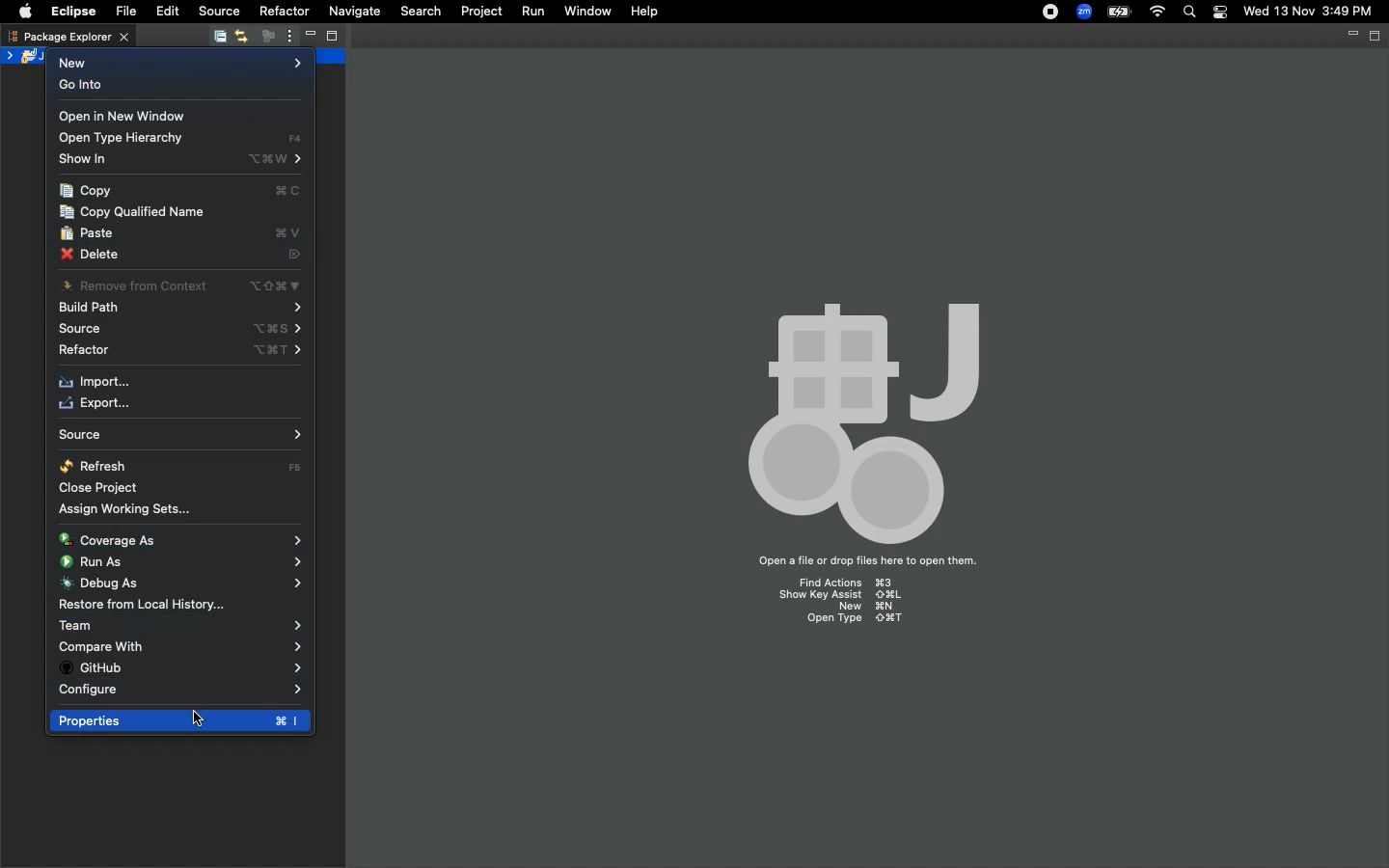 Image resolution: width=1389 pixels, height=868 pixels. Describe the element at coordinates (139, 117) in the screenshot. I see `Open in new window` at that location.